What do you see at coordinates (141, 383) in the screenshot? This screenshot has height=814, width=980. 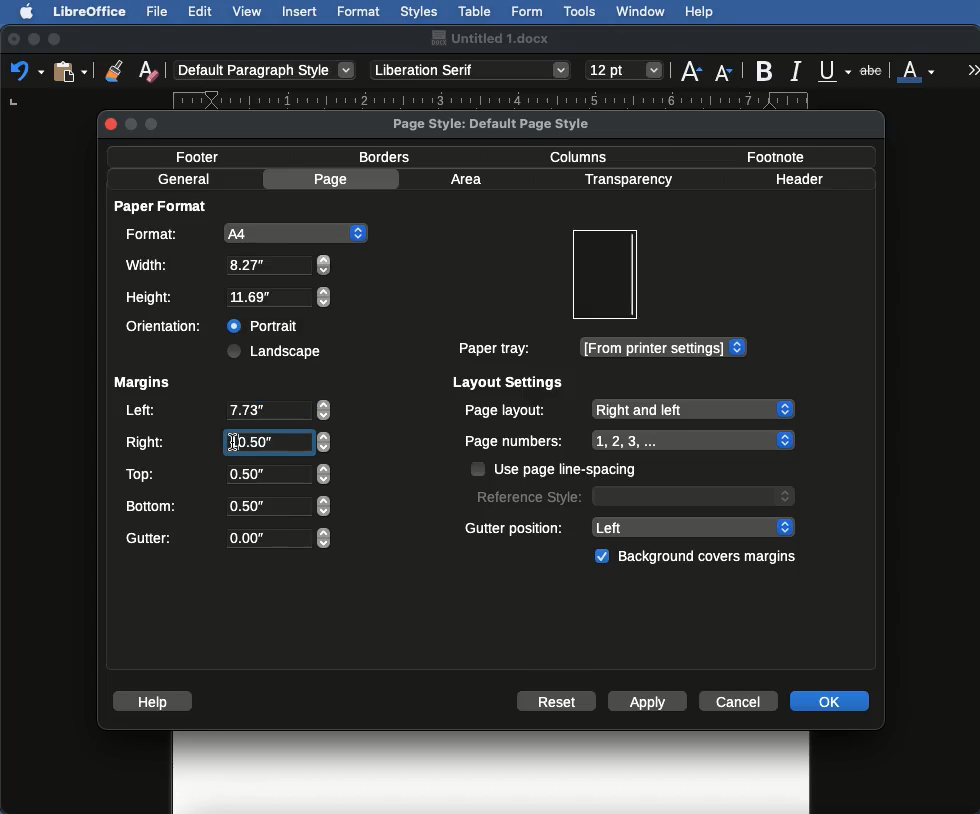 I see `Margins` at bounding box center [141, 383].